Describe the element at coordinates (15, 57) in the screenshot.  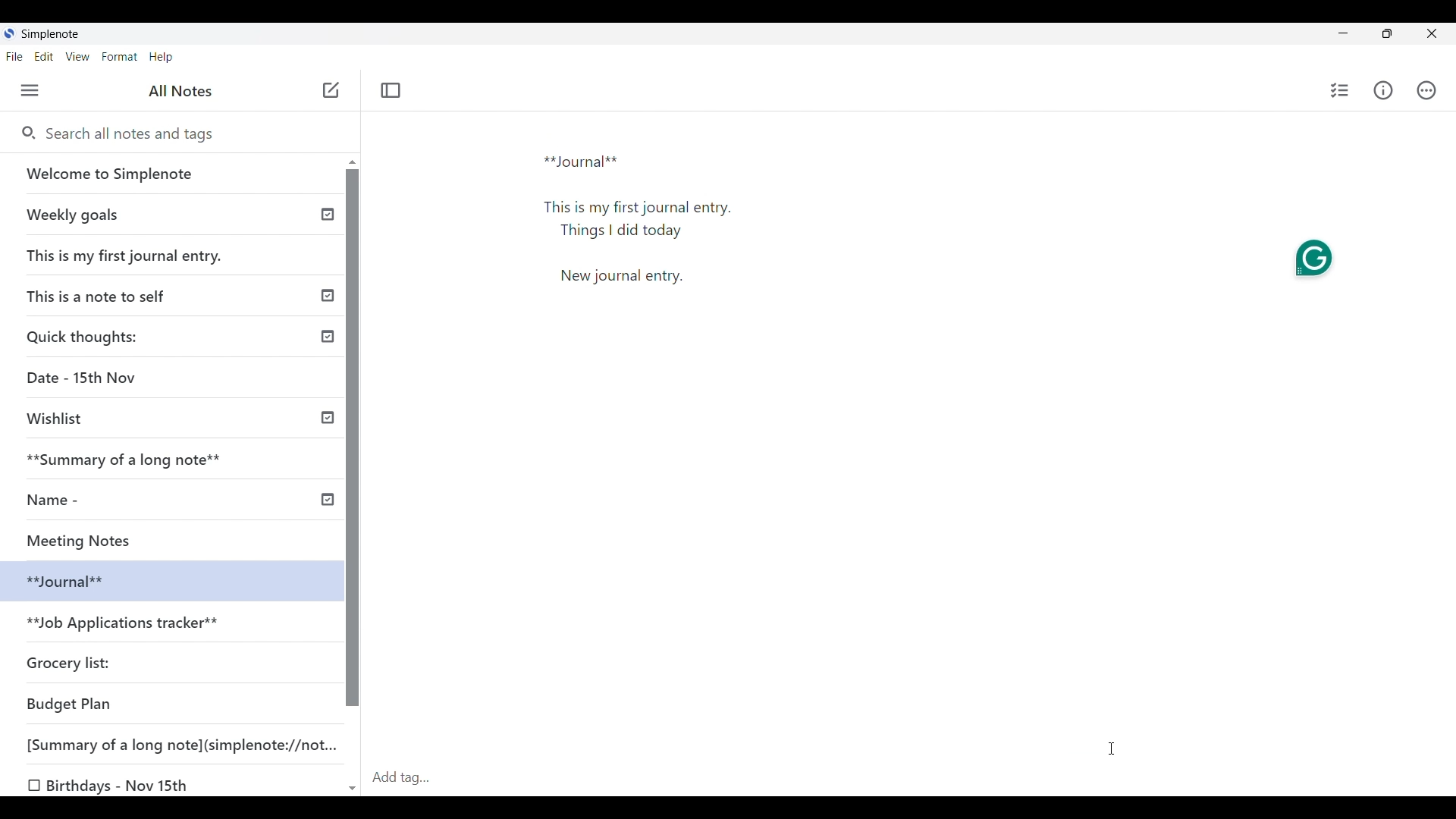
I see `File menu` at that location.